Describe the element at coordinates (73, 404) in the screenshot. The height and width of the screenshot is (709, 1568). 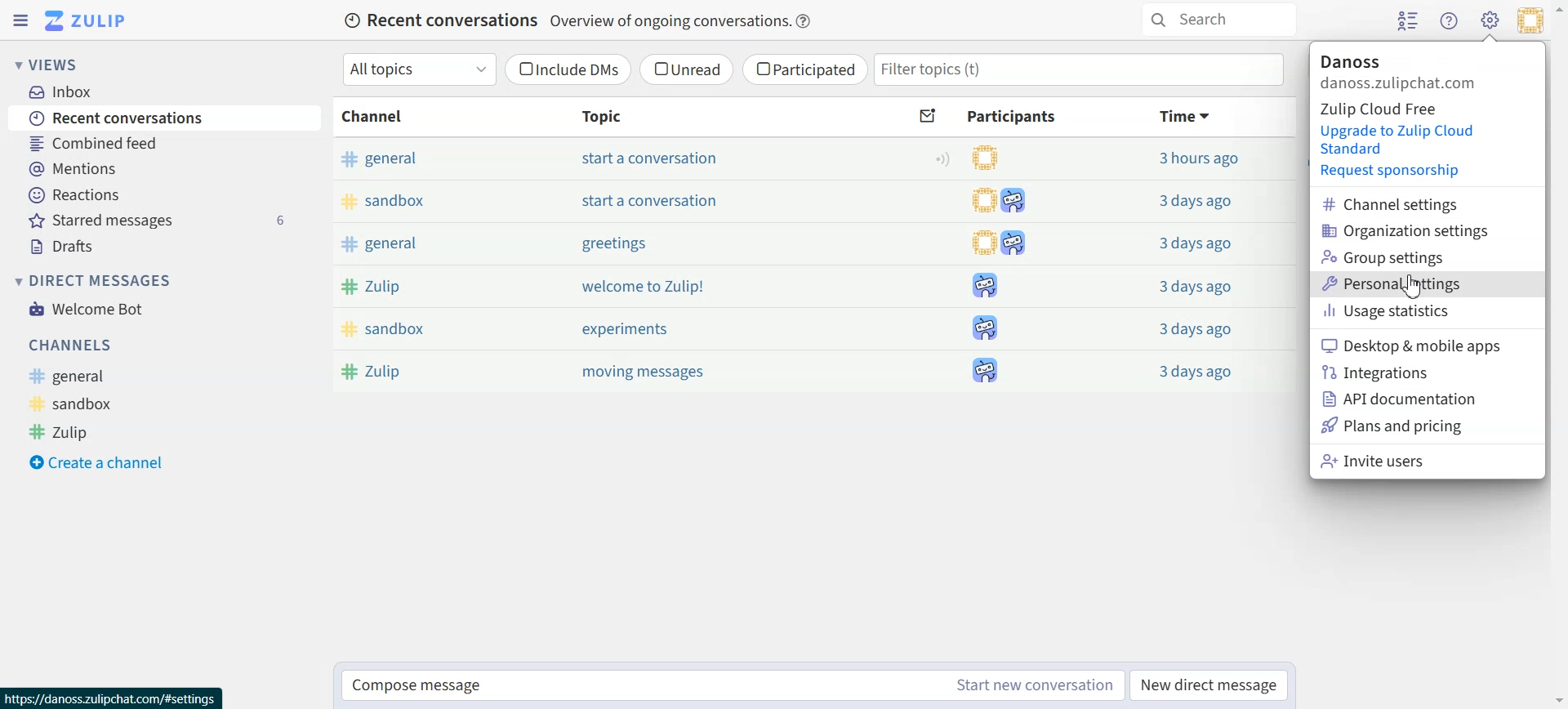
I see `Sandbox` at that location.